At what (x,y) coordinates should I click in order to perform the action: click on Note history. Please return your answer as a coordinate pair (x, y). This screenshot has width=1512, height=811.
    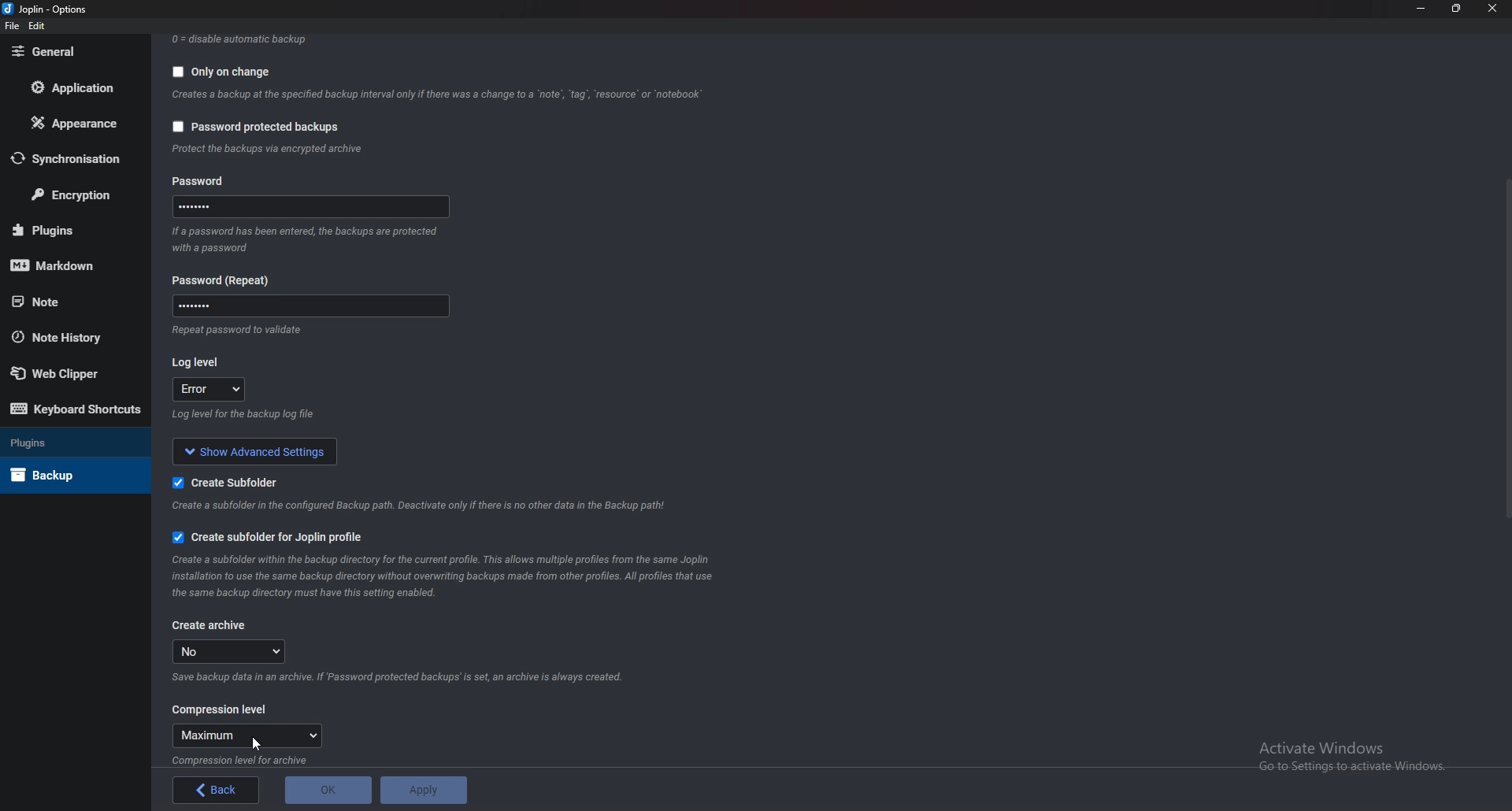
    Looking at the image, I should click on (67, 339).